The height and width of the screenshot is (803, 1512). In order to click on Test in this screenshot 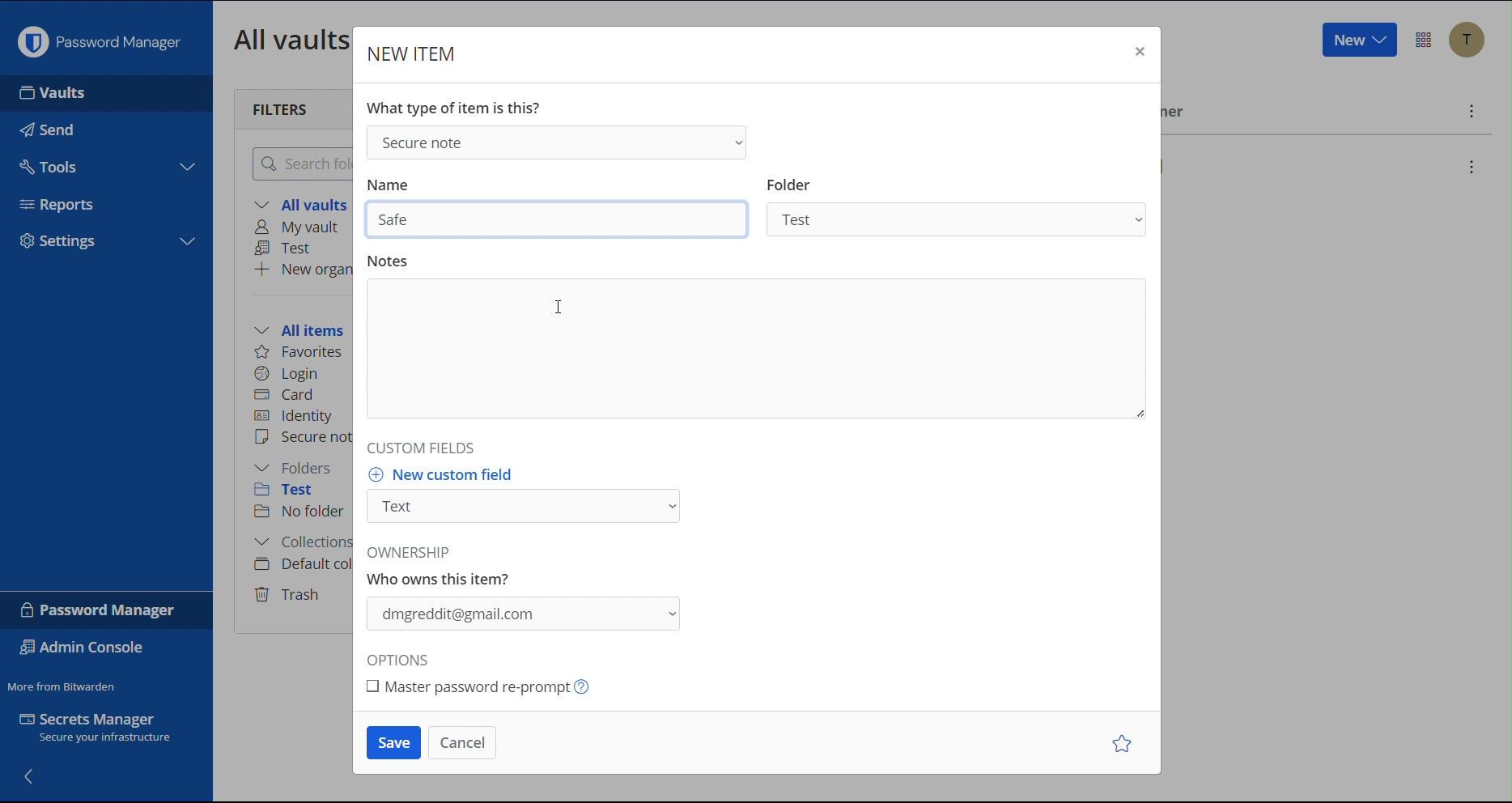, I will do `click(287, 249)`.